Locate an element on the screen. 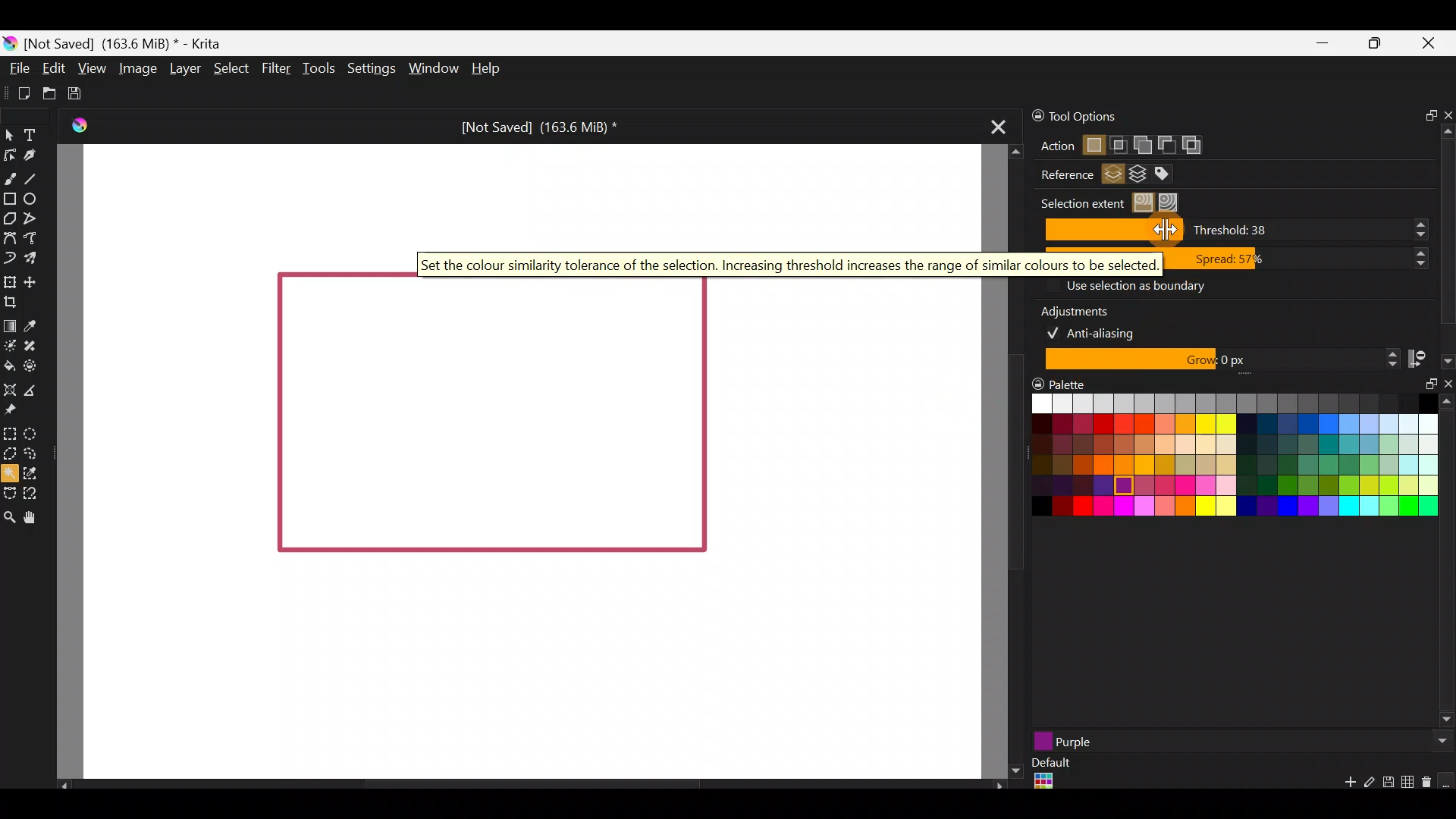  Anti-aliasing is located at coordinates (1101, 331).